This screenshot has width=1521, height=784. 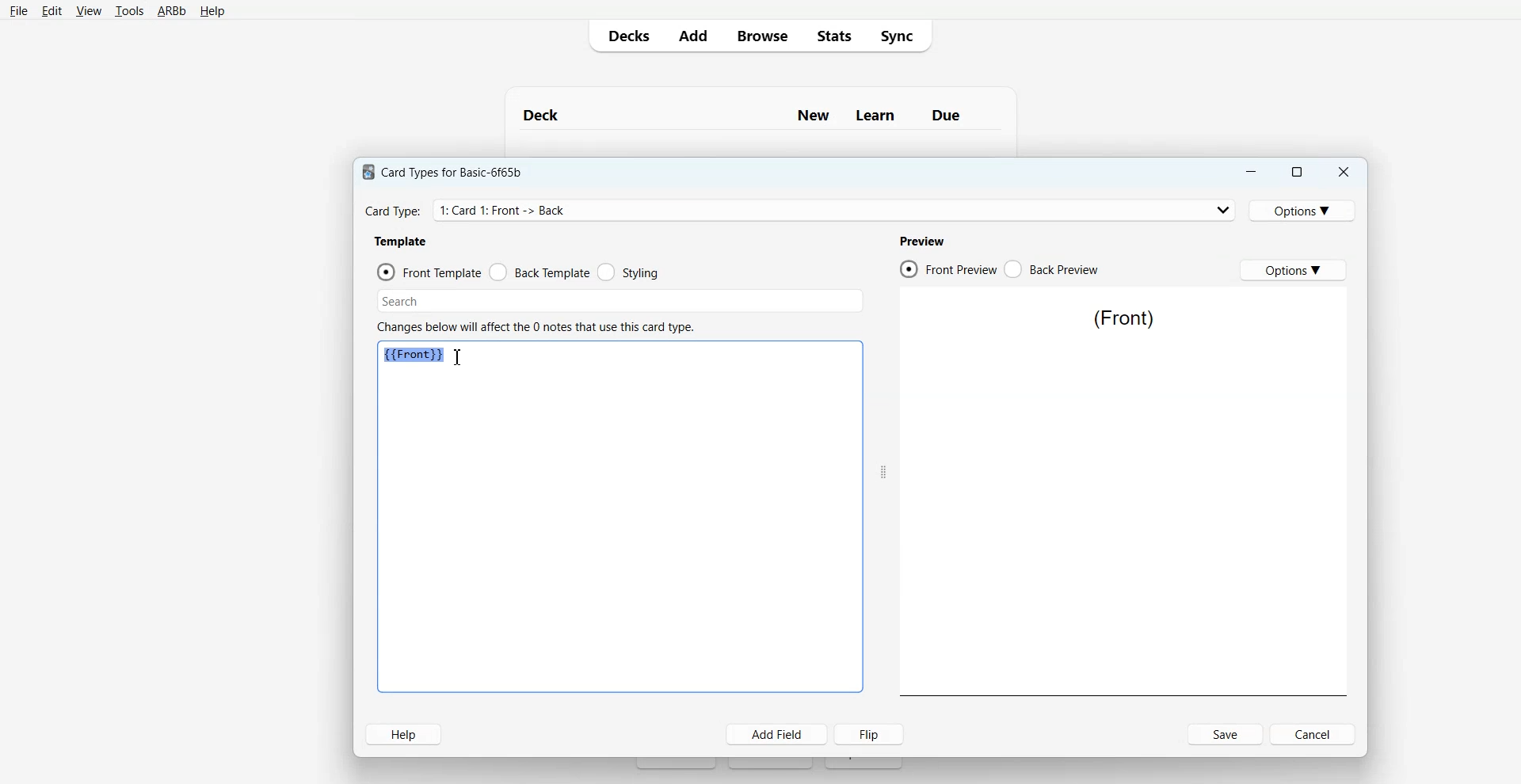 I want to click on Front Preview, so click(x=947, y=268).